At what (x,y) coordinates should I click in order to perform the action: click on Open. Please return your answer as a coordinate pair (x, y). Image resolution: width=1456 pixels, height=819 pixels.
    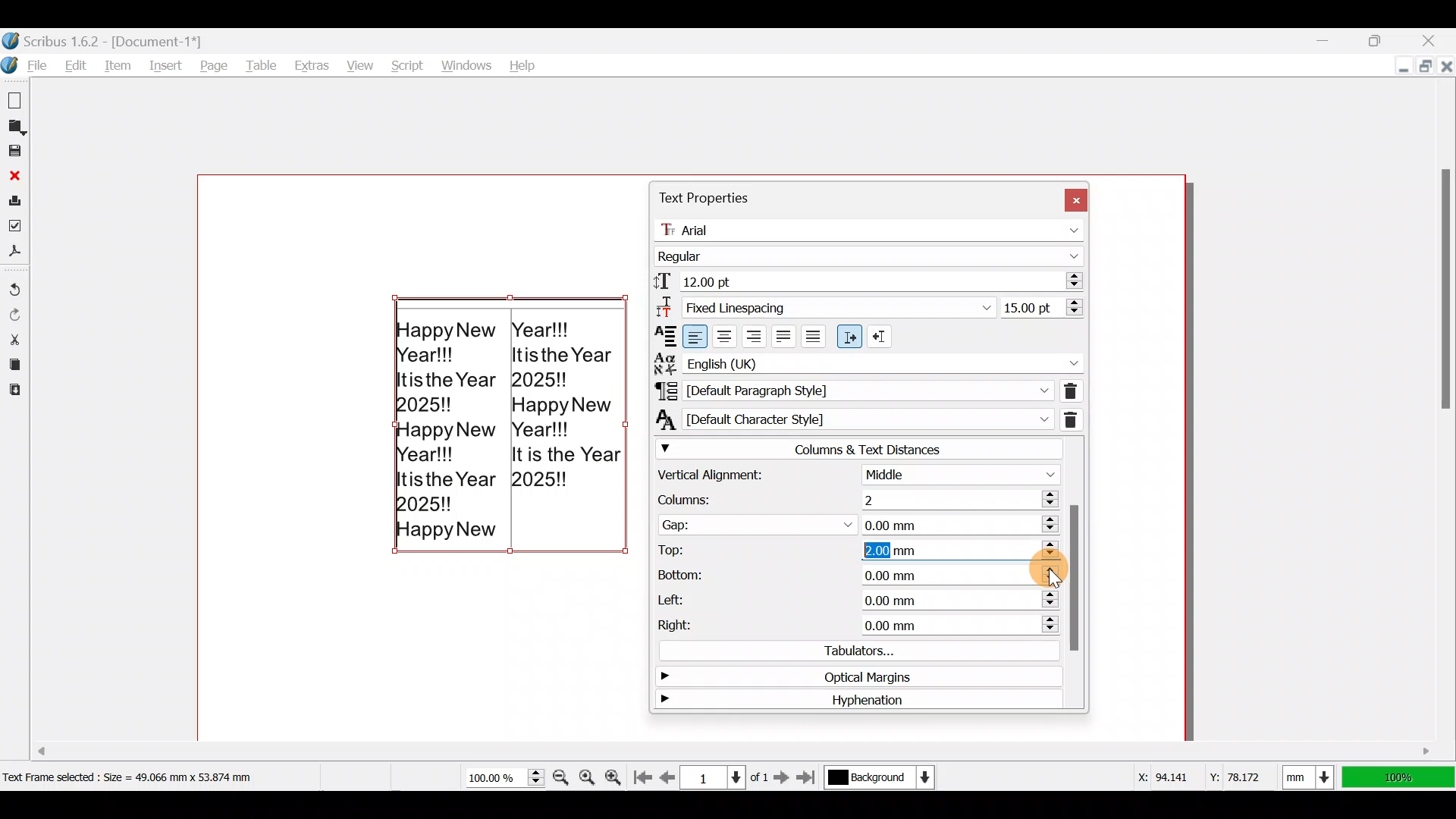
    Looking at the image, I should click on (17, 127).